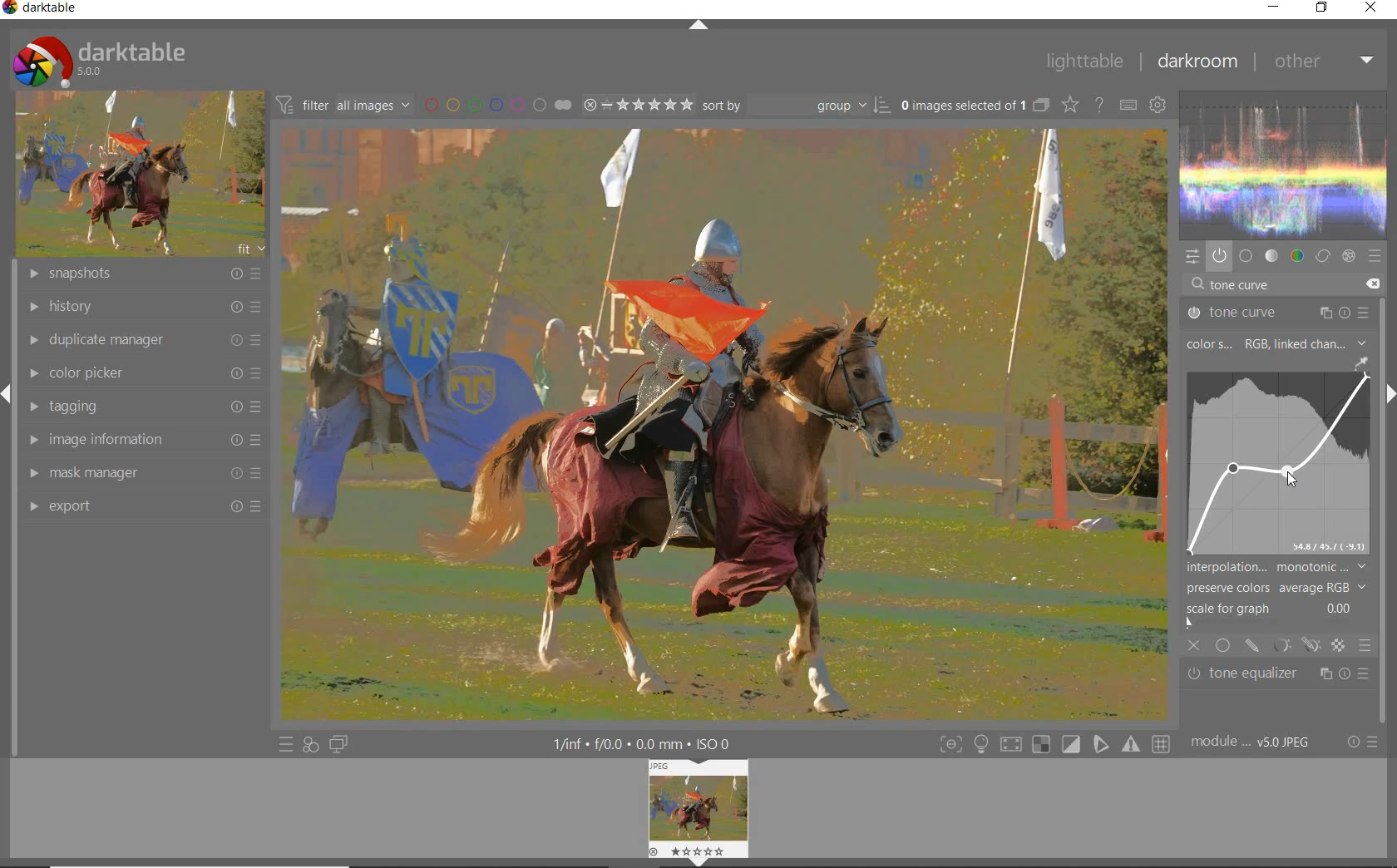  Describe the element at coordinates (1281, 463) in the screenshot. I see `curve forming "s" shape for cinematic contrast` at that location.